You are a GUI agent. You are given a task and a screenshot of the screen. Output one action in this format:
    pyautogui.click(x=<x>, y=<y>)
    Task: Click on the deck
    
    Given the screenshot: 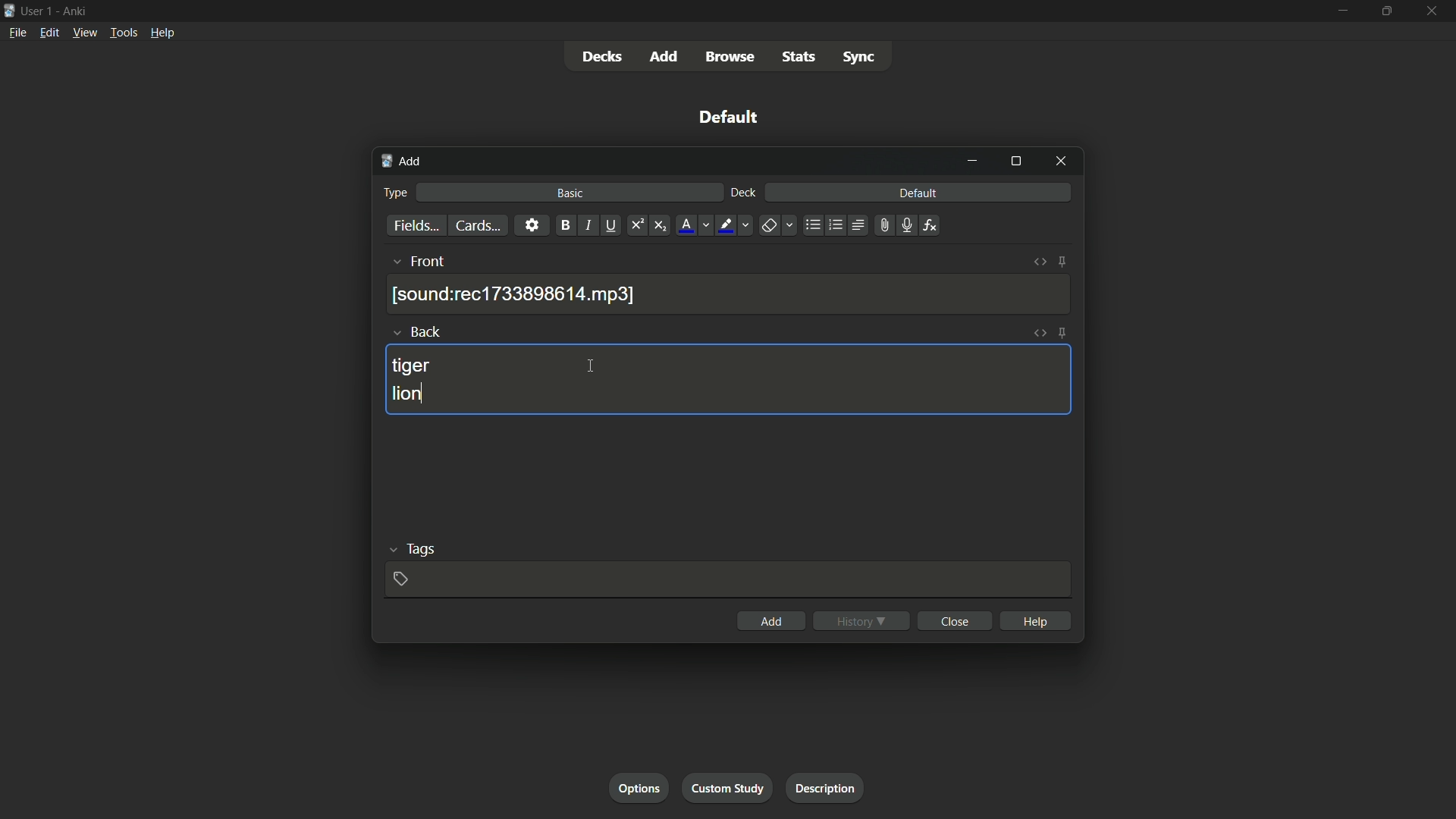 What is the action you would take?
    pyautogui.click(x=742, y=193)
    